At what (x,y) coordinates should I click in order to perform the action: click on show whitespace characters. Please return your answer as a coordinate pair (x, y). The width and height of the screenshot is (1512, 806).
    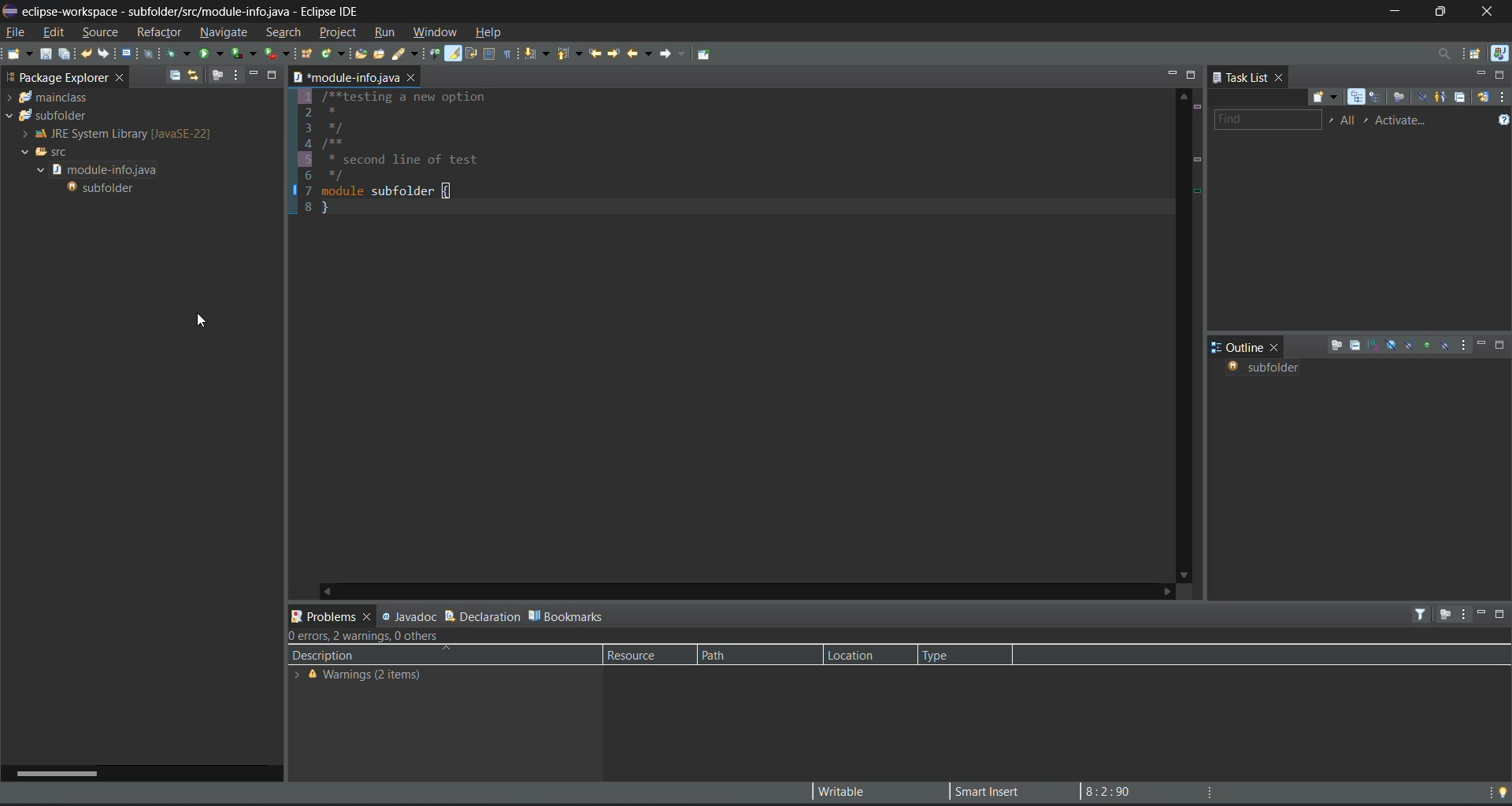
    Looking at the image, I should click on (509, 54).